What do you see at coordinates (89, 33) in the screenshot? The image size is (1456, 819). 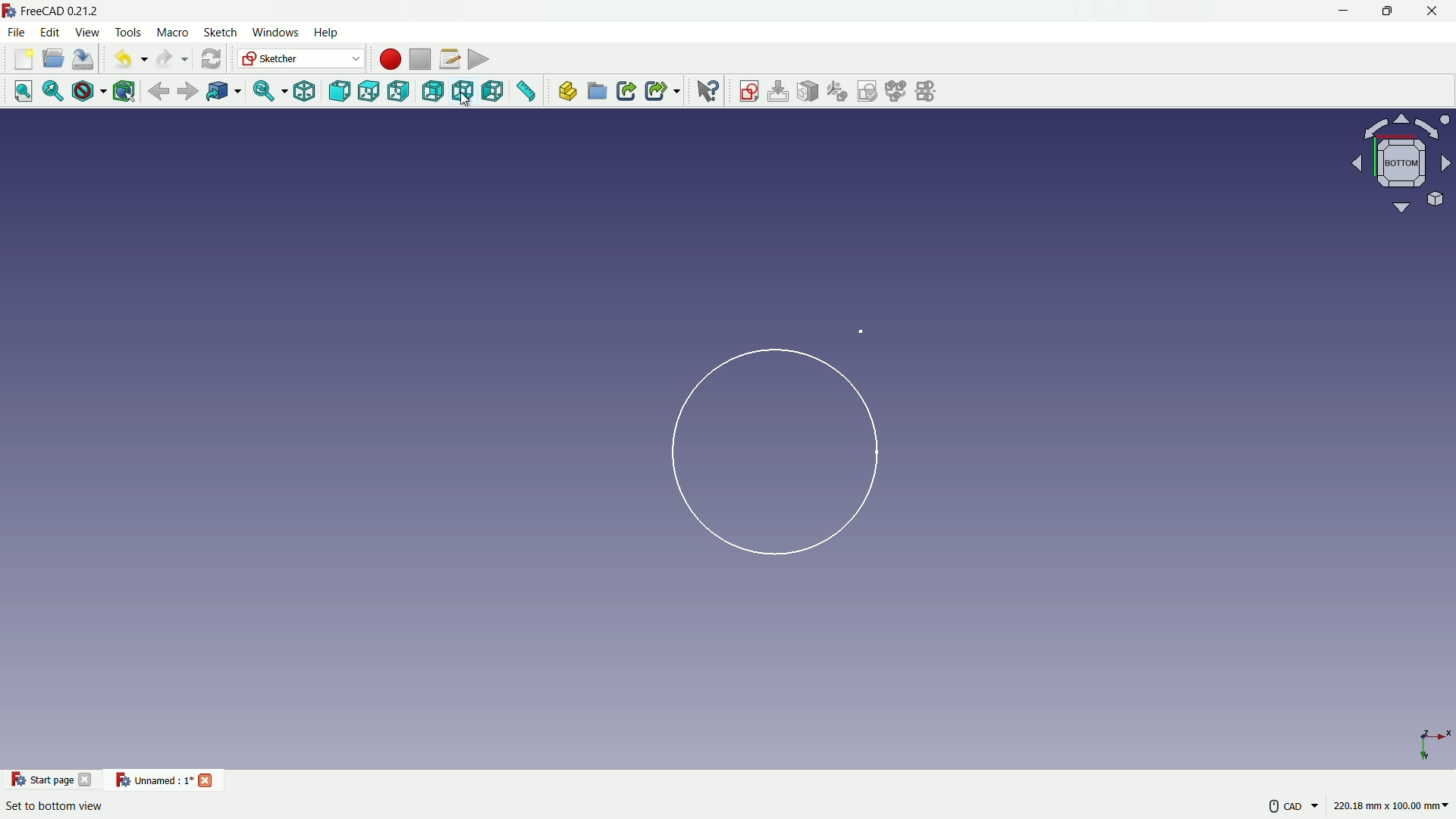 I see `view menu` at bounding box center [89, 33].